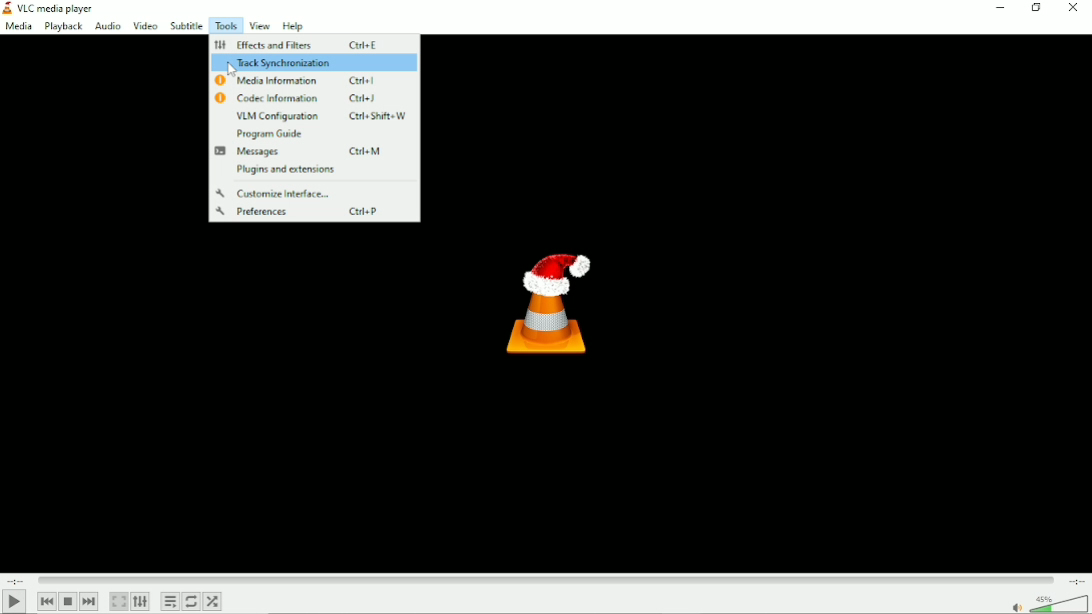 Image resolution: width=1092 pixels, height=614 pixels. What do you see at coordinates (547, 580) in the screenshot?
I see `Play duration` at bounding box center [547, 580].